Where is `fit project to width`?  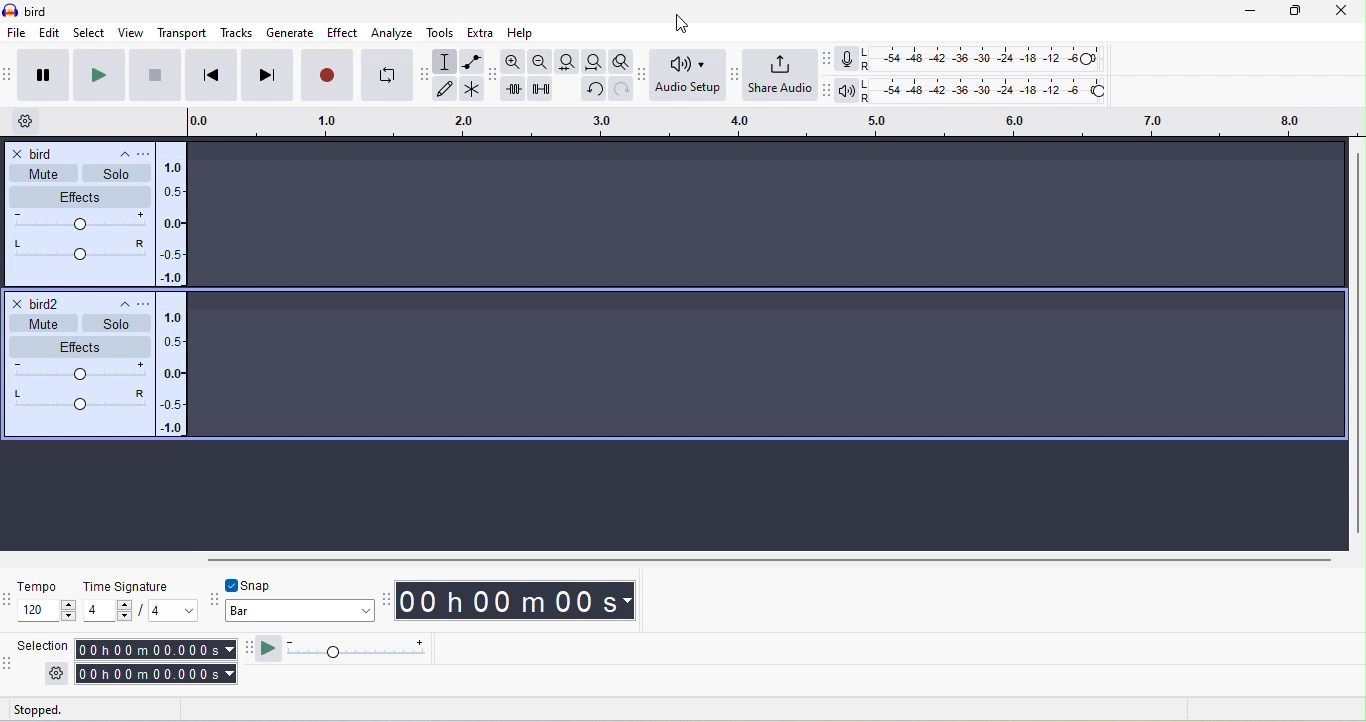 fit project to width is located at coordinates (593, 61).